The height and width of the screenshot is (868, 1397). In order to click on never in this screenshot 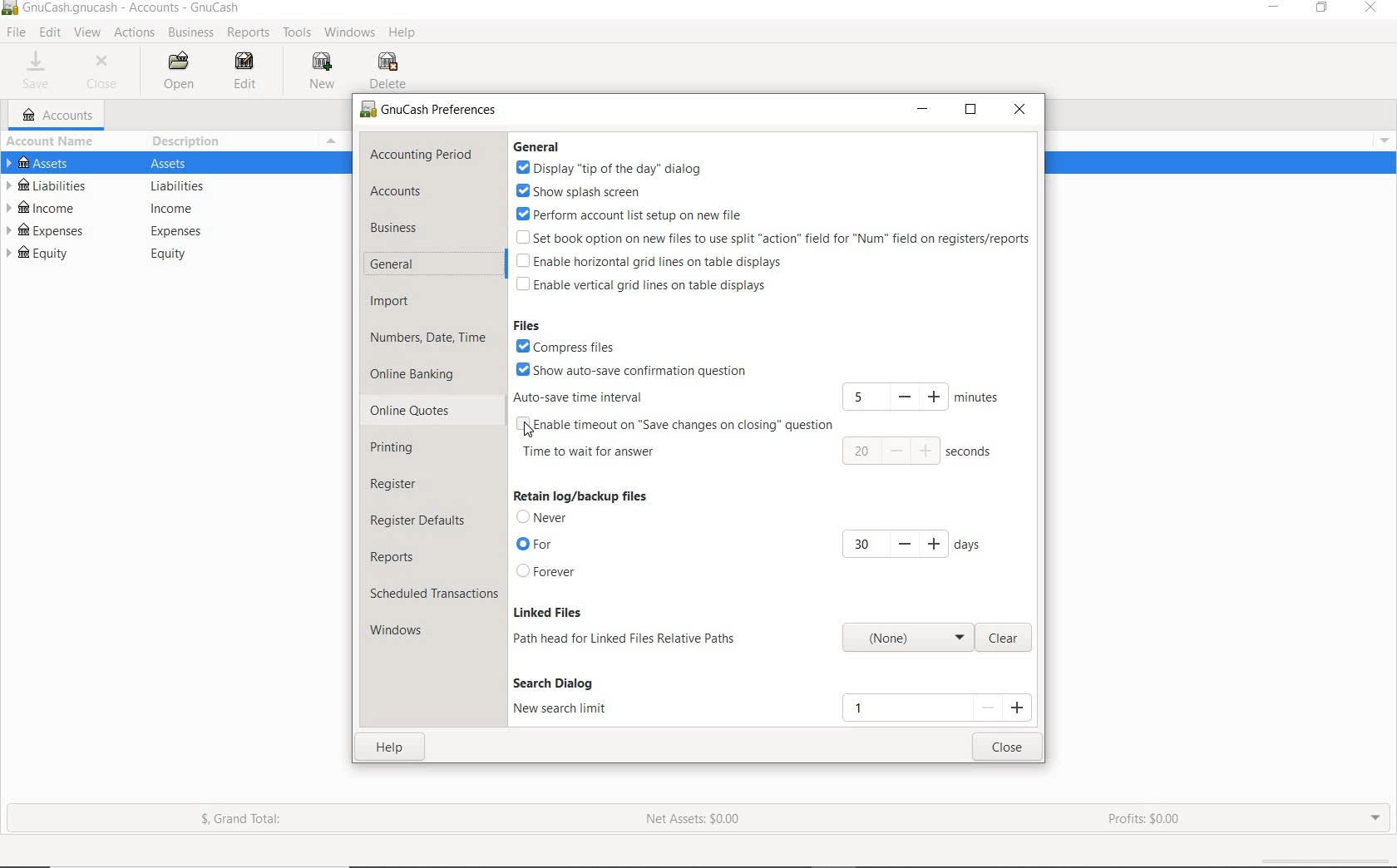, I will do `click(546, 519)`.